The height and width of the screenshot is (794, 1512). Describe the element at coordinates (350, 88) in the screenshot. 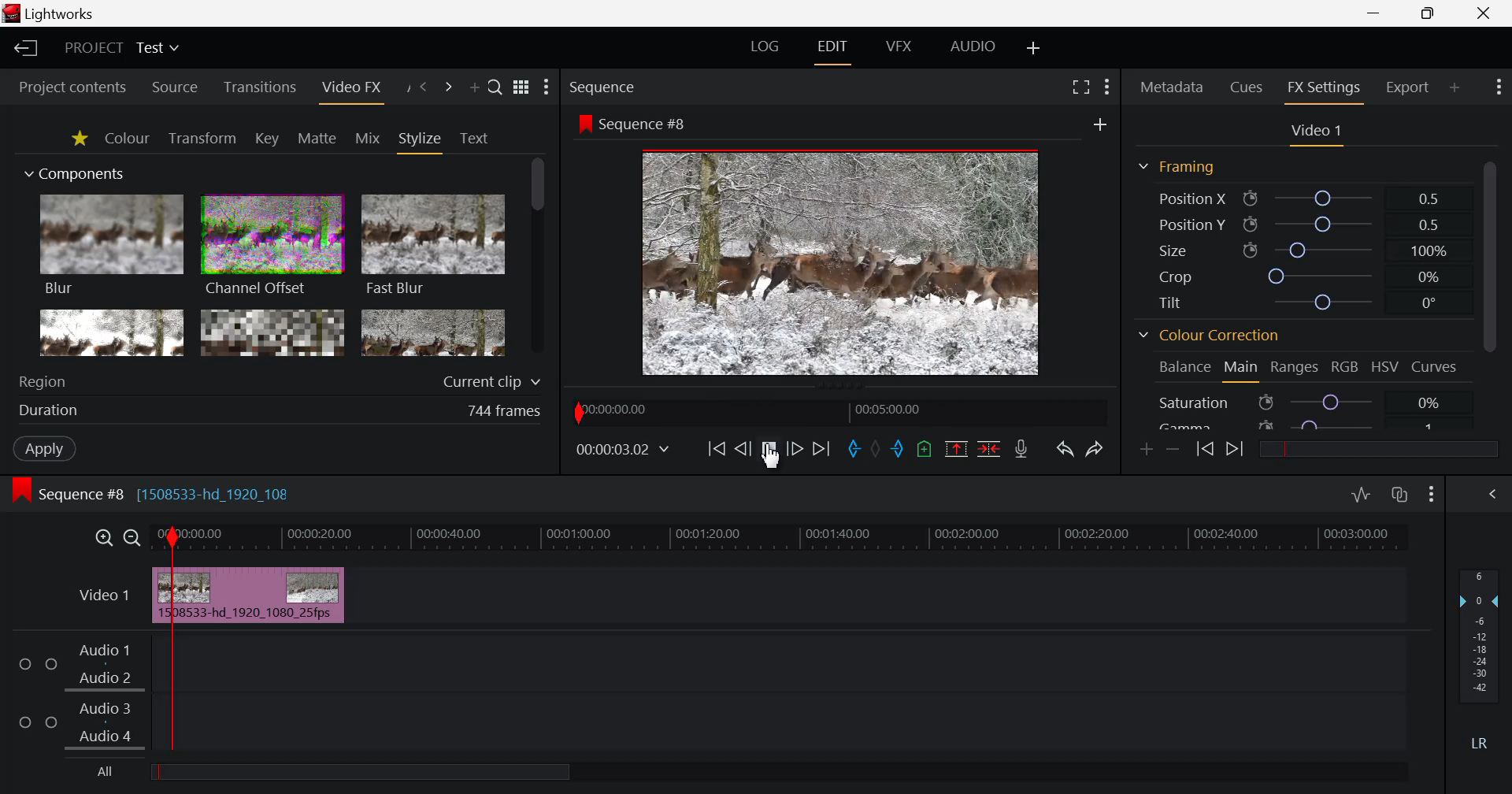

I see `Video FX` at that location.